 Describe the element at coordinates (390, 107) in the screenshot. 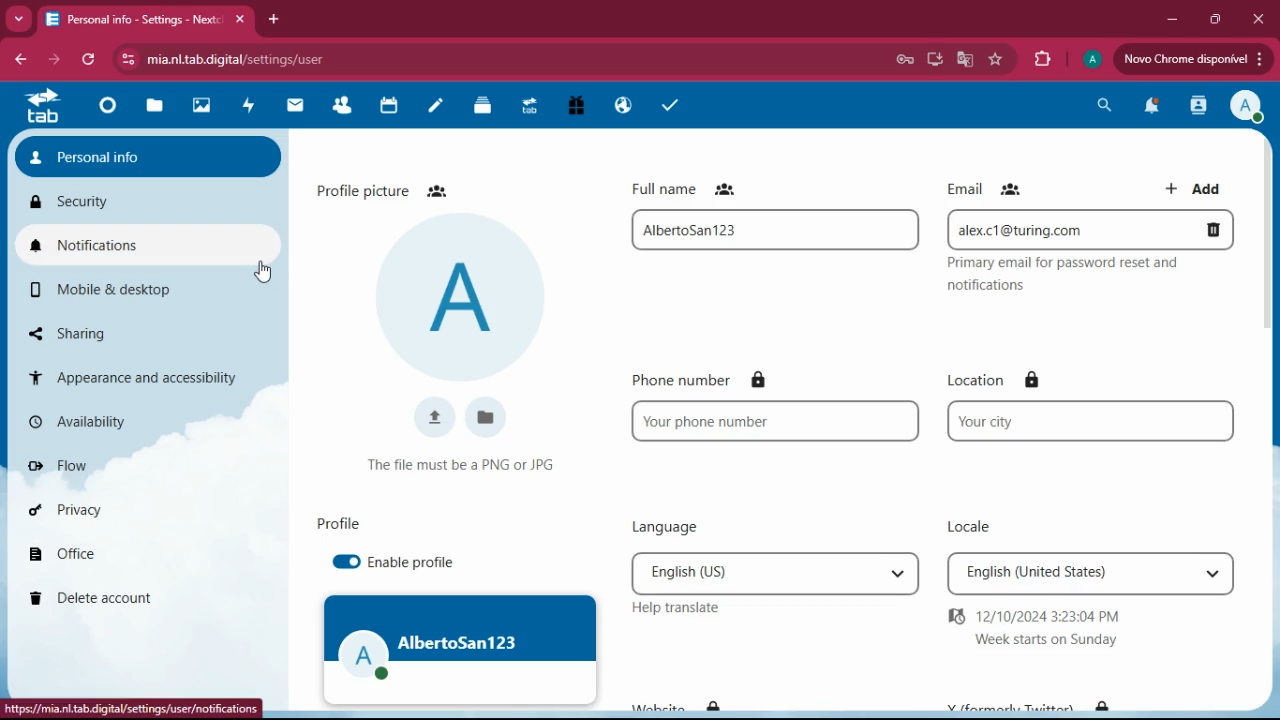

I see `calendar` at that location.